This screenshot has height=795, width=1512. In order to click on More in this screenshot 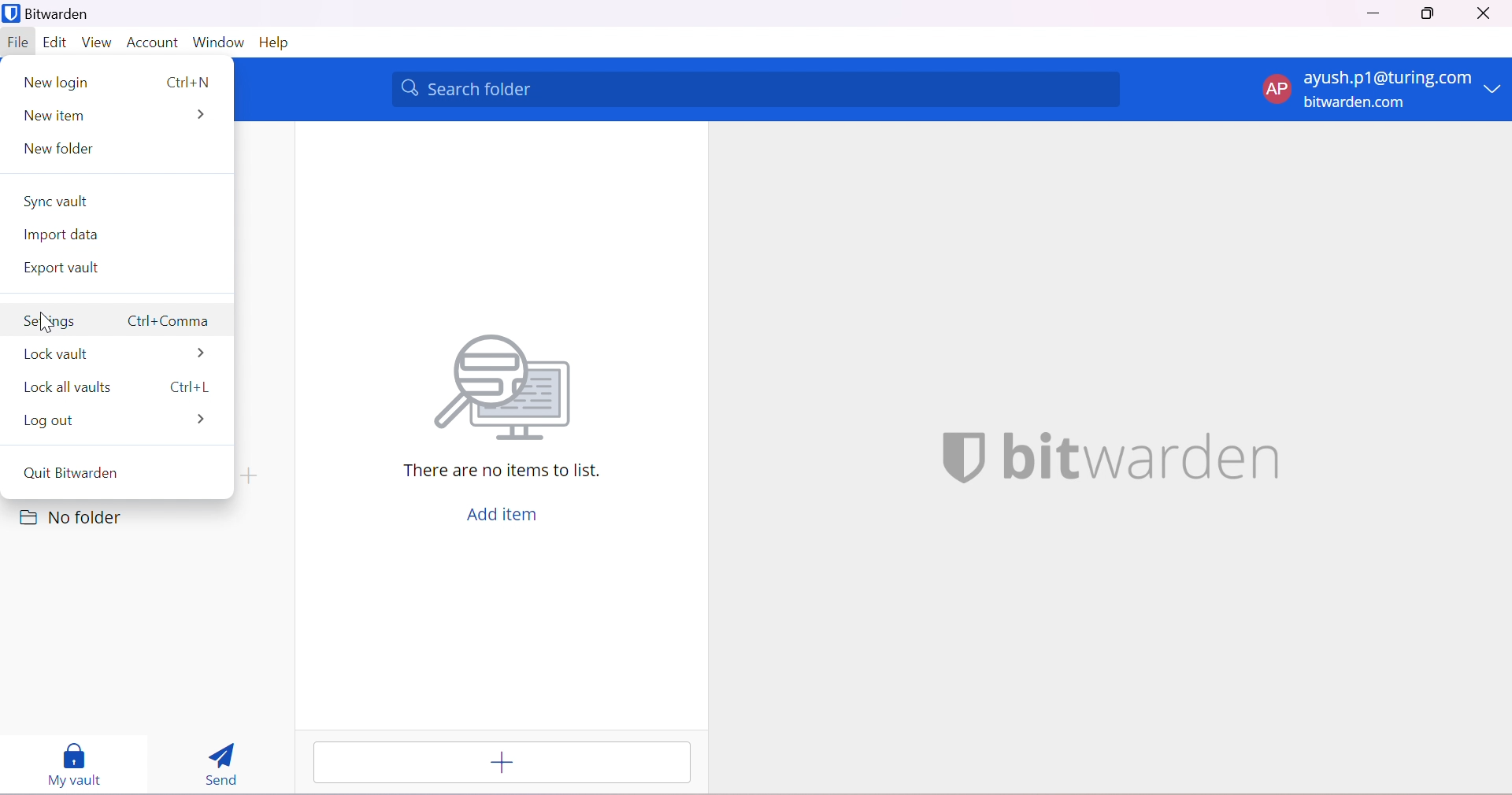, I will do `click(202, 356)`.